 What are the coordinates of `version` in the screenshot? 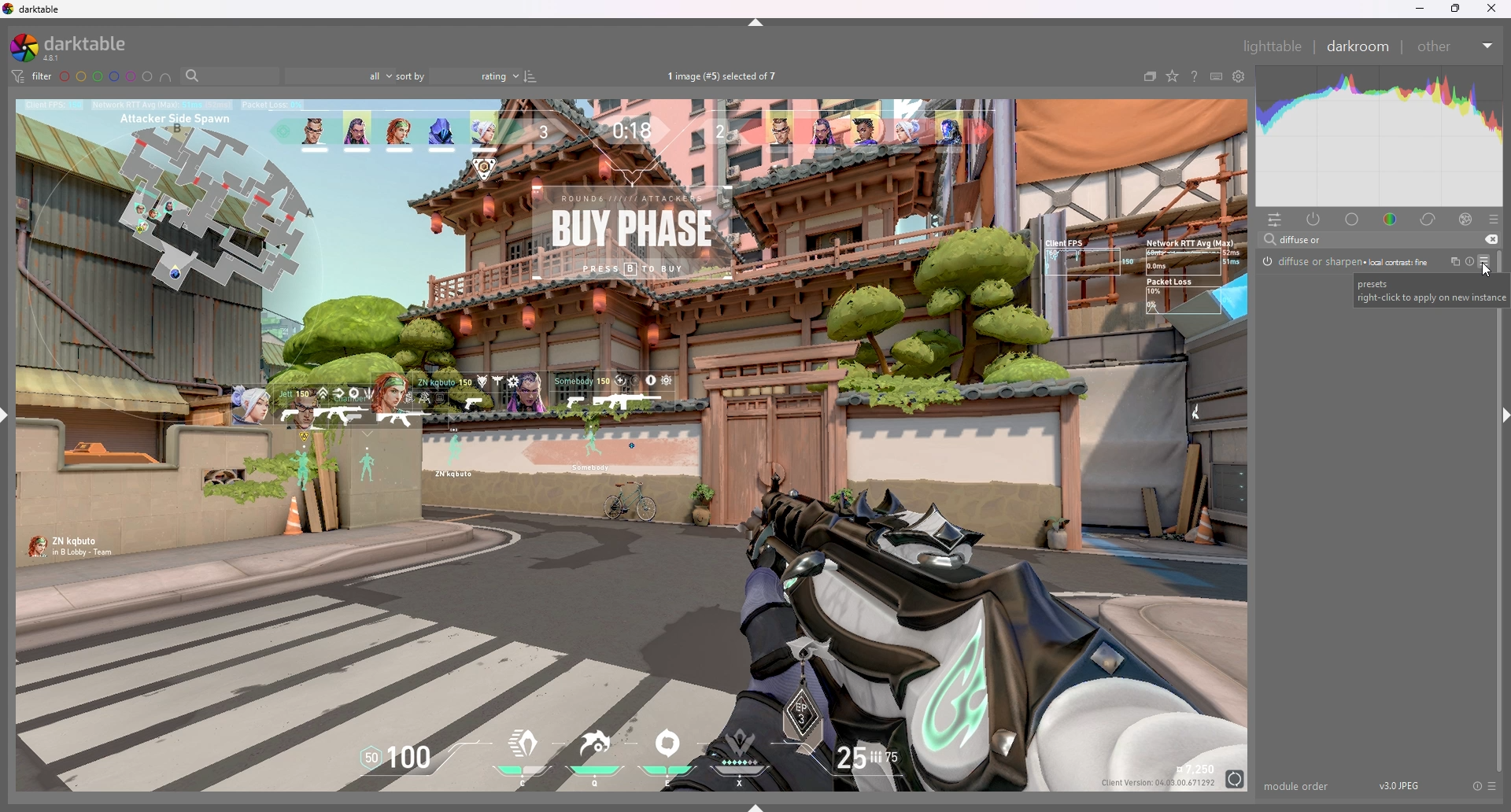 It's located at (1402, 784).